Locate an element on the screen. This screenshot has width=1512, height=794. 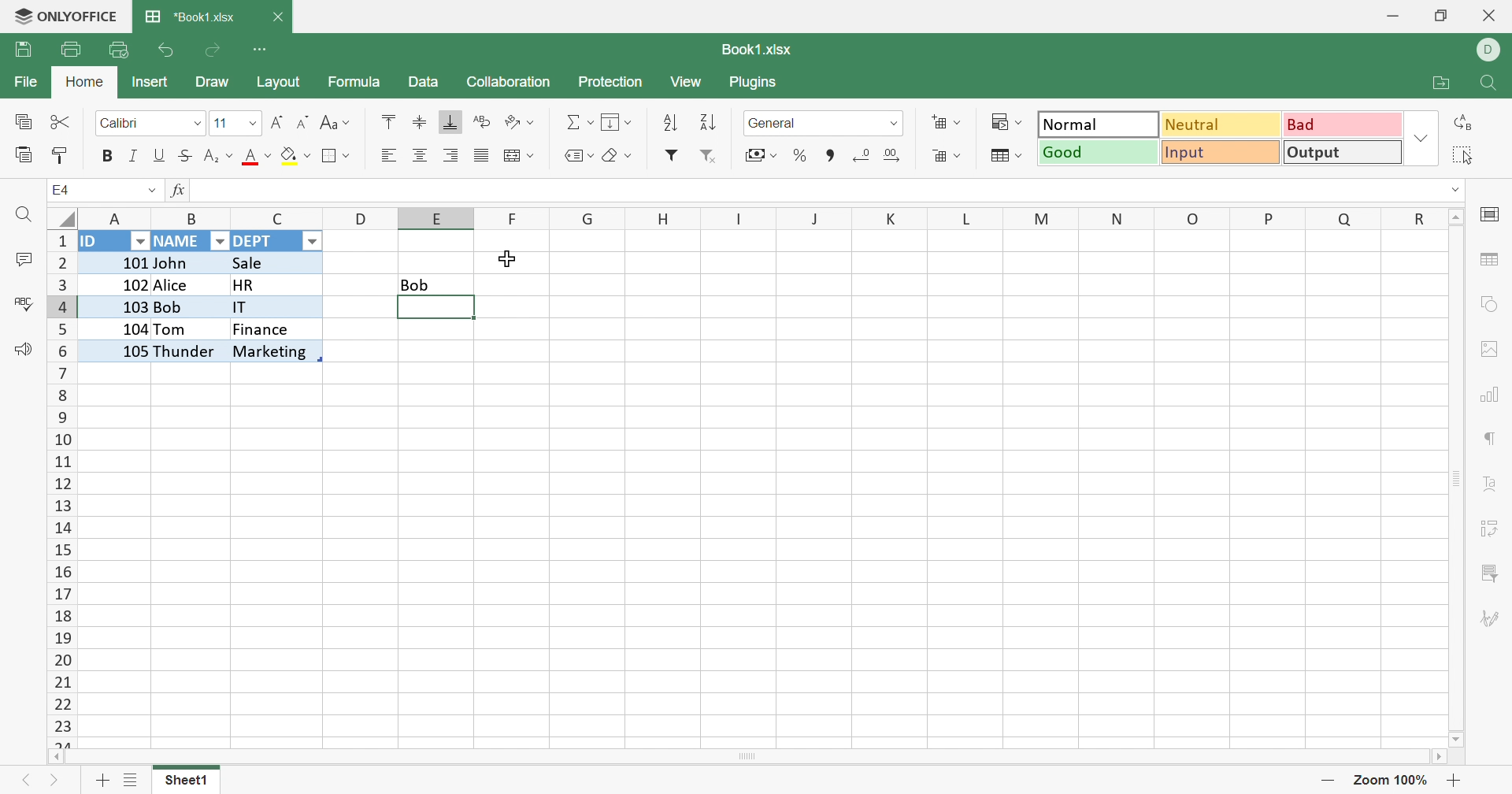
Percent is located at coordinates (801, 155).